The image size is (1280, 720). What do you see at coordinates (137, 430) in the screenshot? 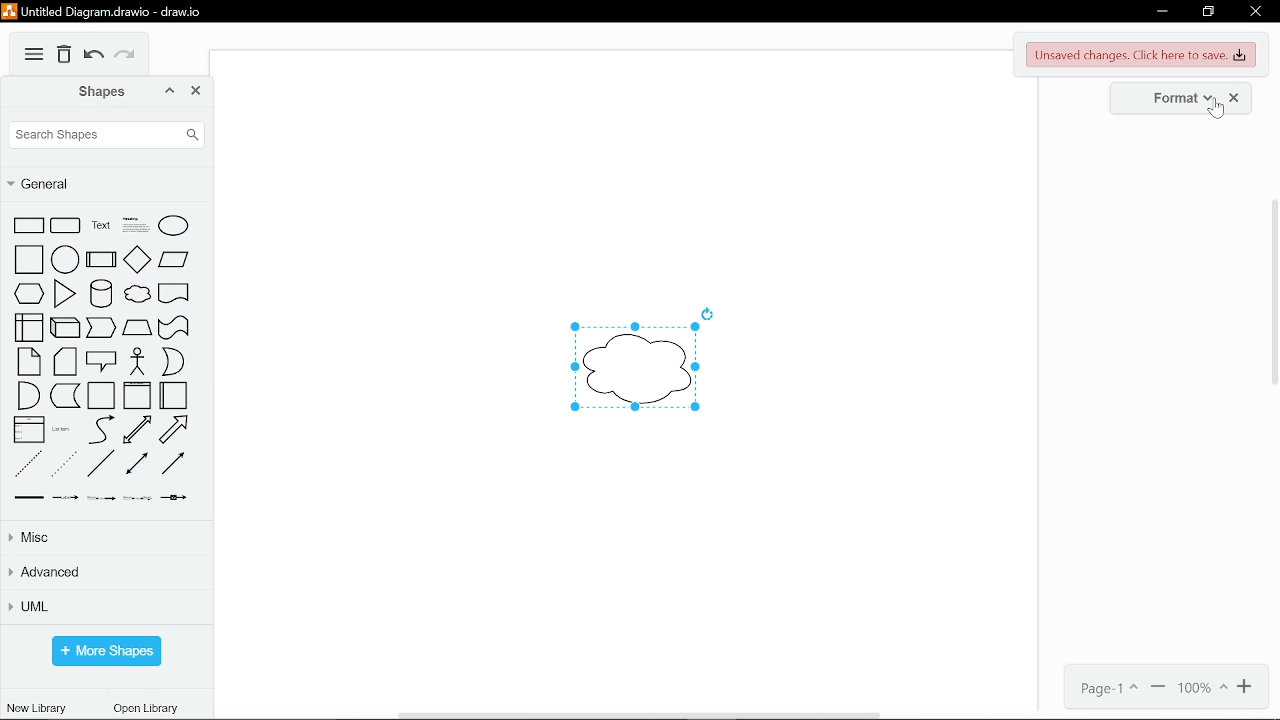
I see `bidirectional arrow` at bounding box center [137, 430].